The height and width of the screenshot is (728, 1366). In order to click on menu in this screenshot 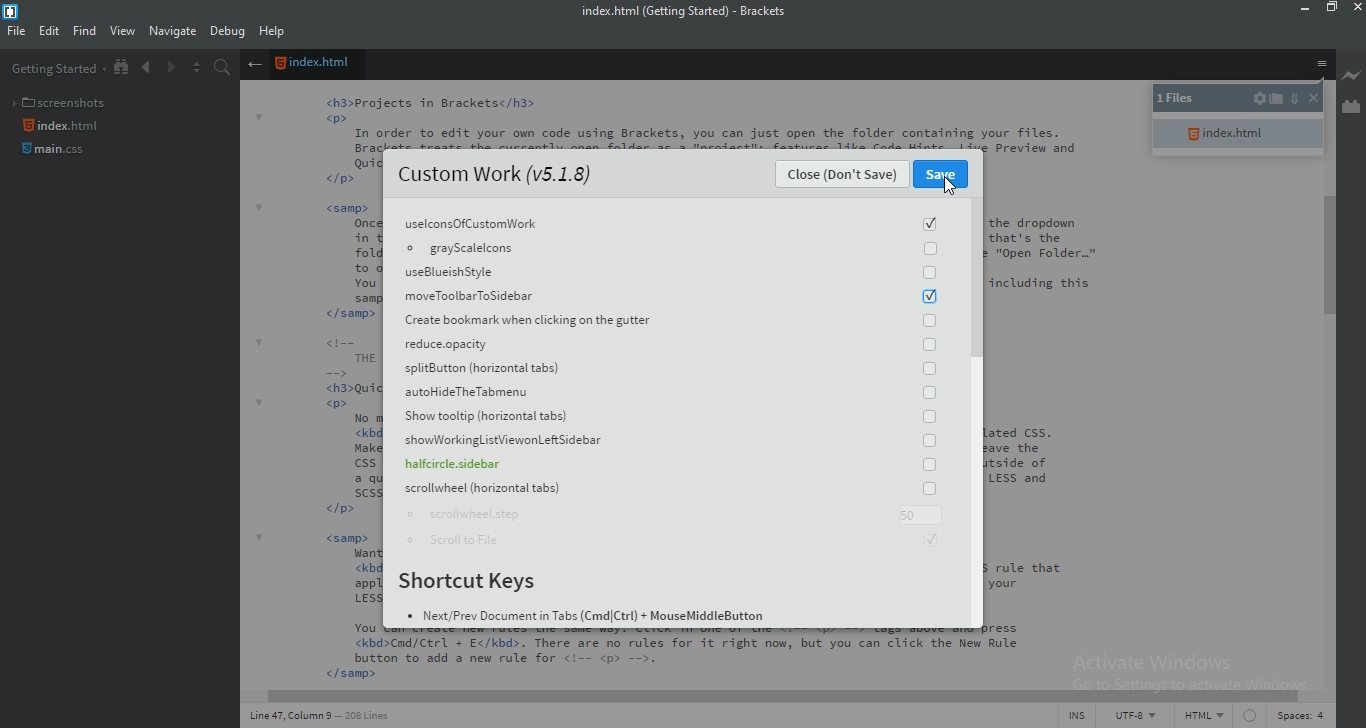, I will do `click(1321, 66)`.